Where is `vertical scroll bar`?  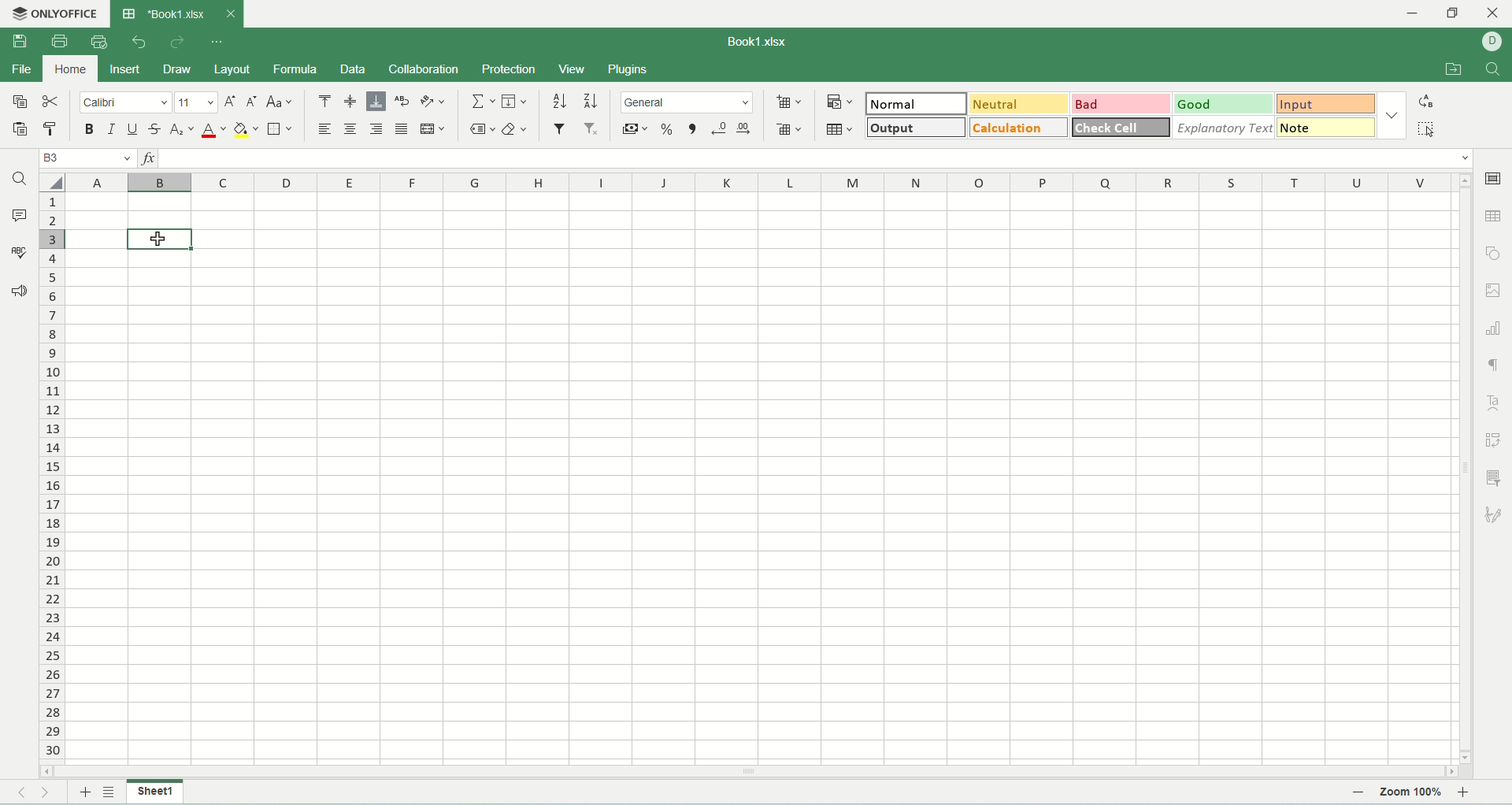
vertical scroll bar is located at coordinates (1466, 468).